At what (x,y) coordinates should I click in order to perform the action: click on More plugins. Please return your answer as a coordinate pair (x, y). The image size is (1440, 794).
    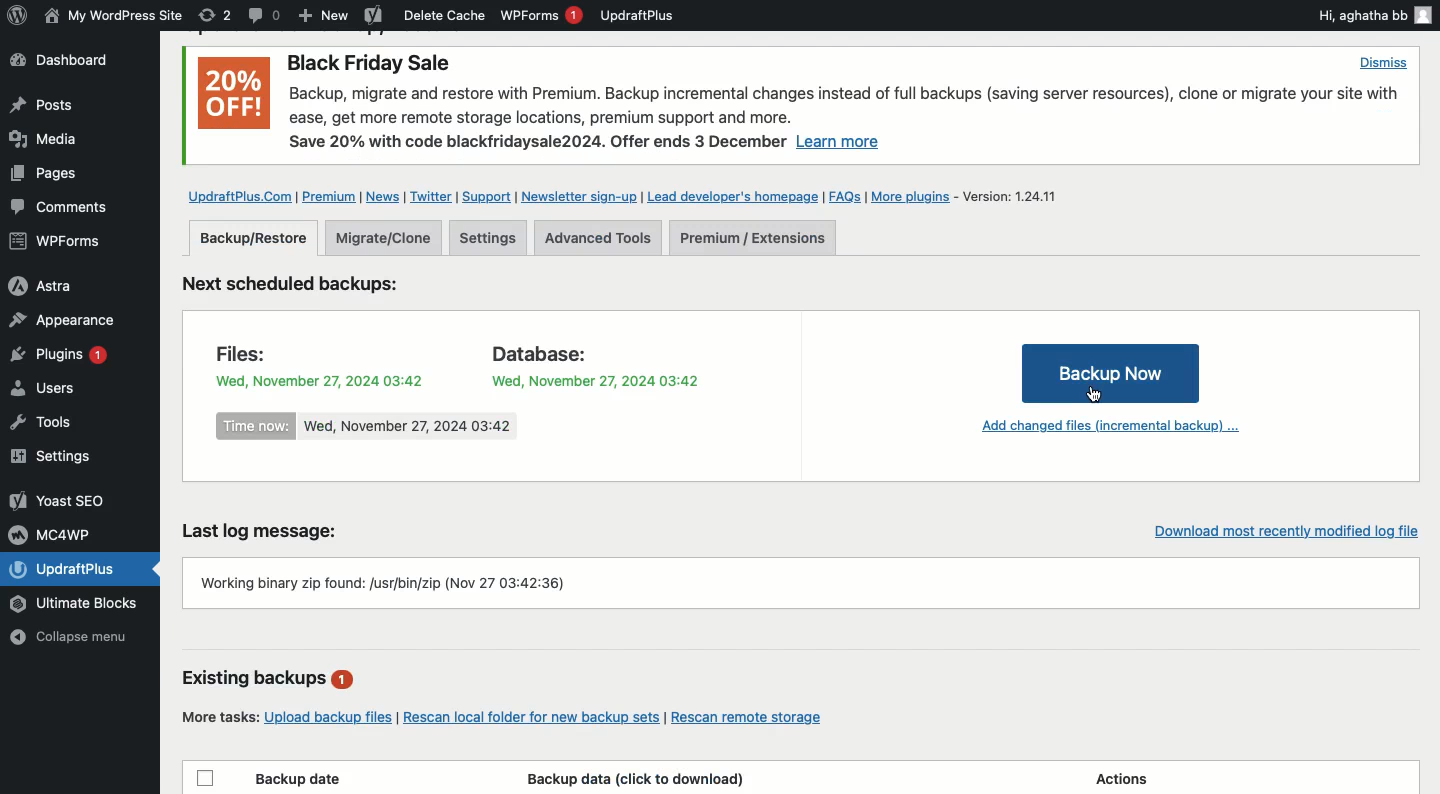
    Looking at the image, I should click on (915, 196).